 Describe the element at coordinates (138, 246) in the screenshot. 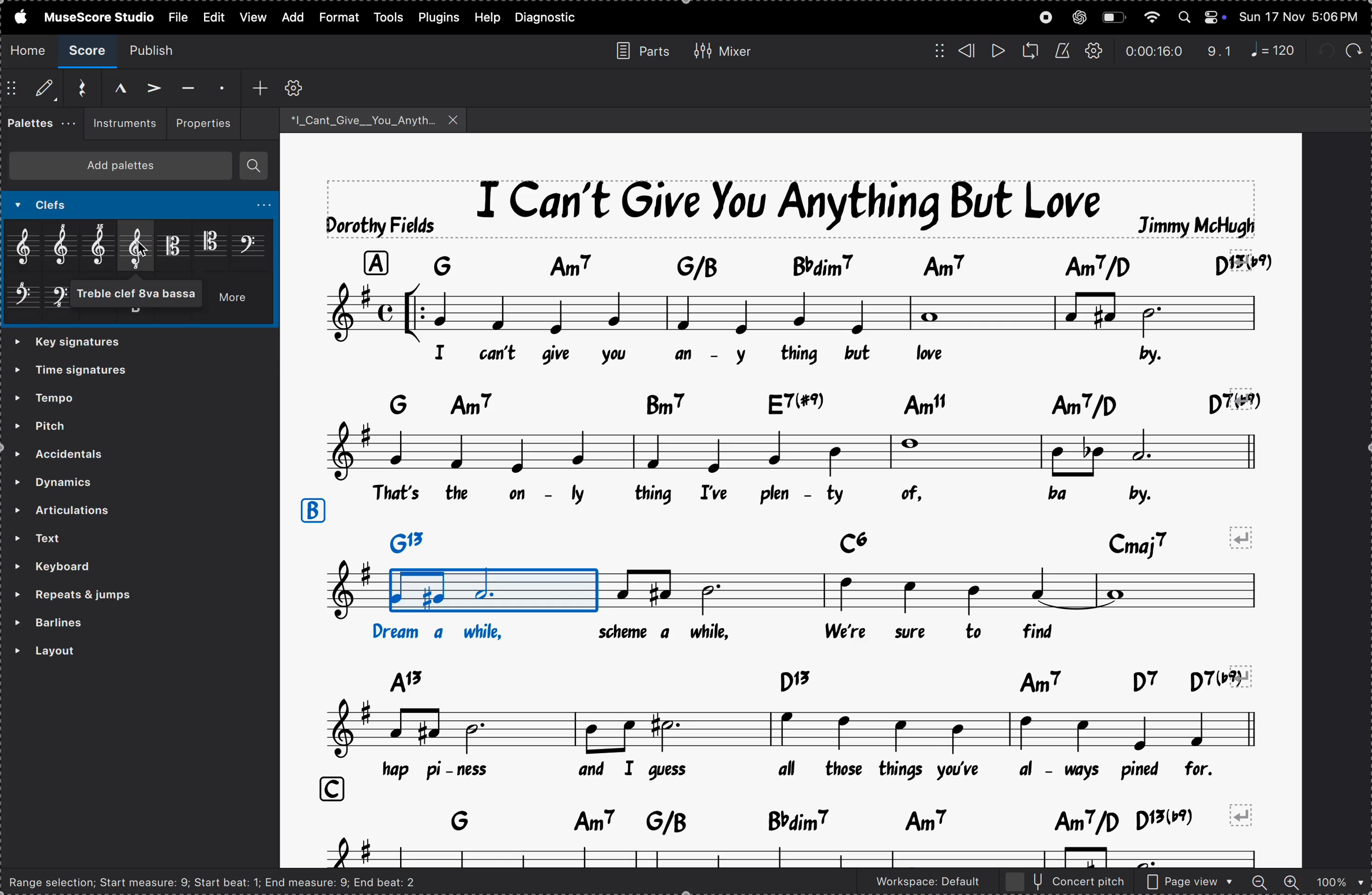

I see `treble 8 a bassa` at that location.